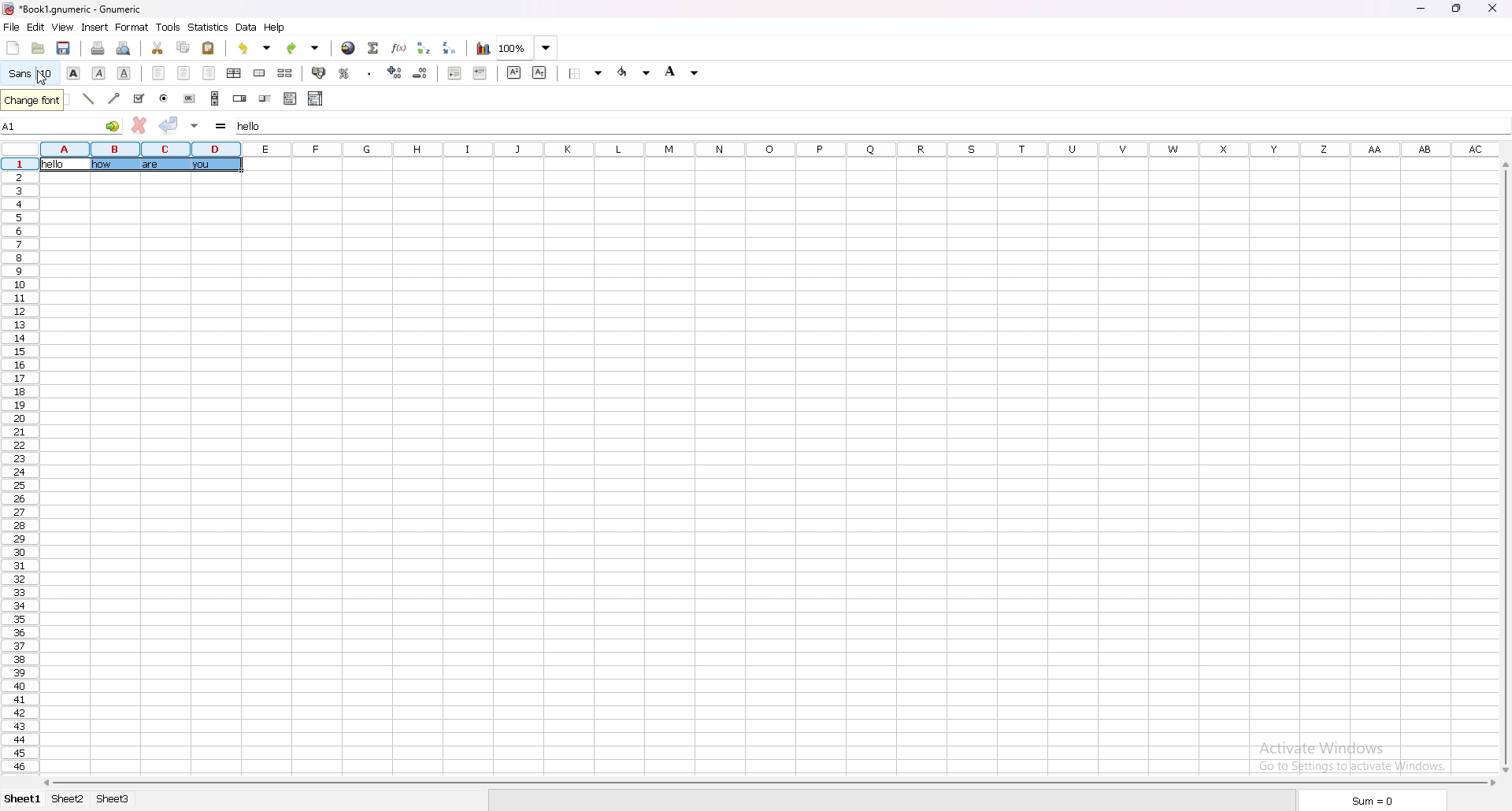  What do you see at coordinates (421, 73) in the screenshot?
I see `decrease decimal` at bounding box center [421, 73].